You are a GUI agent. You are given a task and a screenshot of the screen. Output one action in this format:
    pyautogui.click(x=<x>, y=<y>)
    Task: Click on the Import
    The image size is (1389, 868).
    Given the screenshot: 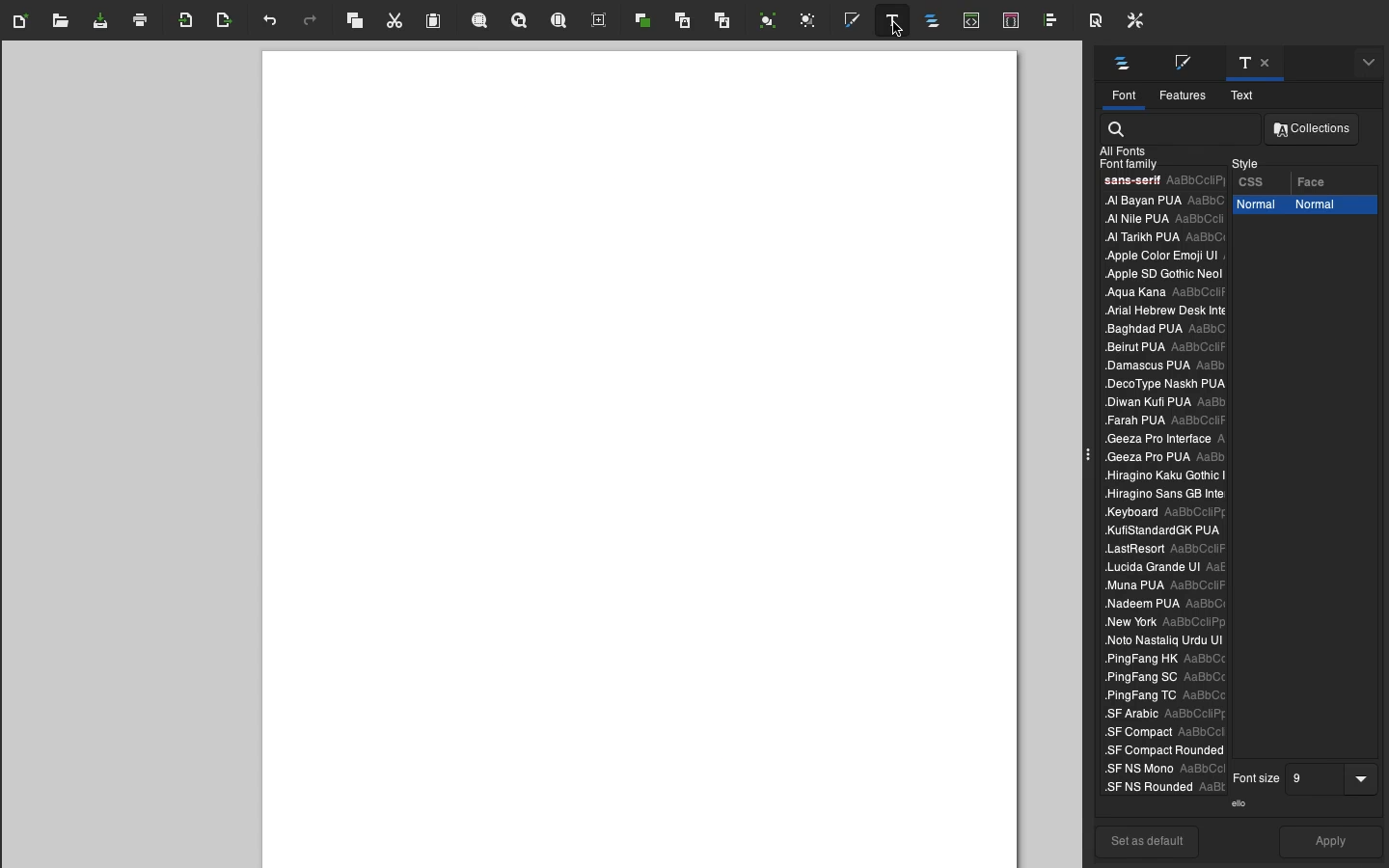 What is the action you would take?
    pyautogui.click(x=188, y=21)
    